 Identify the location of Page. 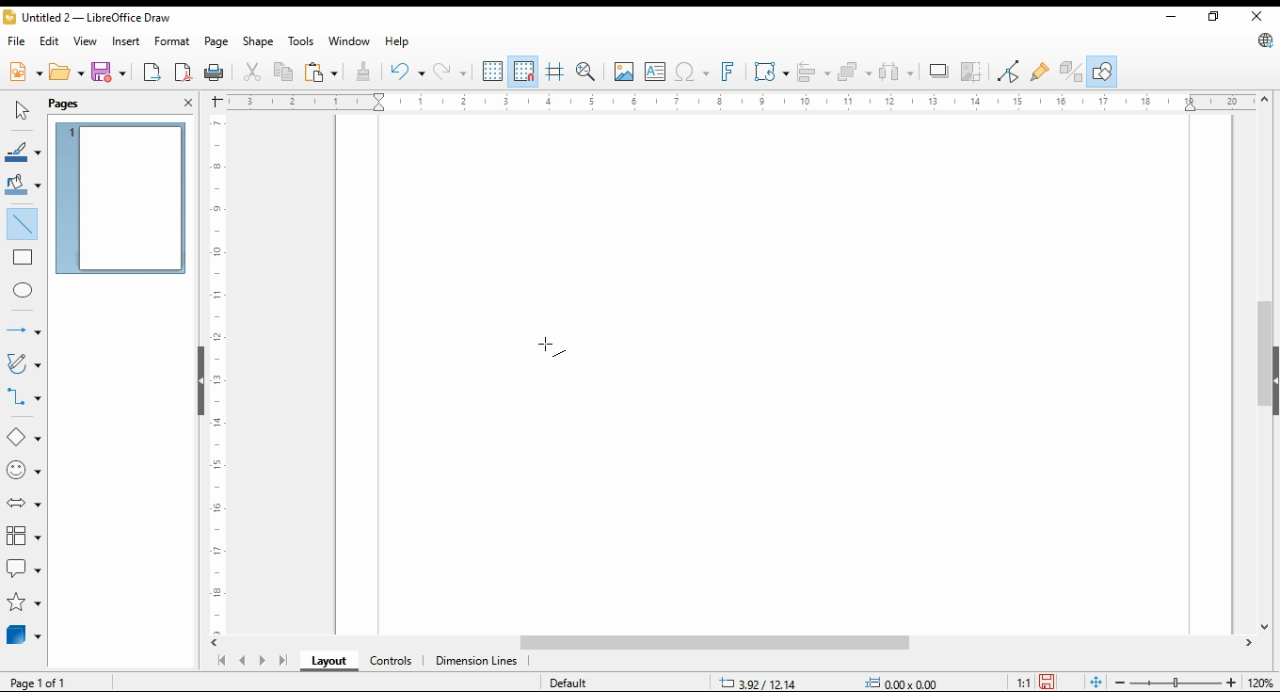
(788, 375).